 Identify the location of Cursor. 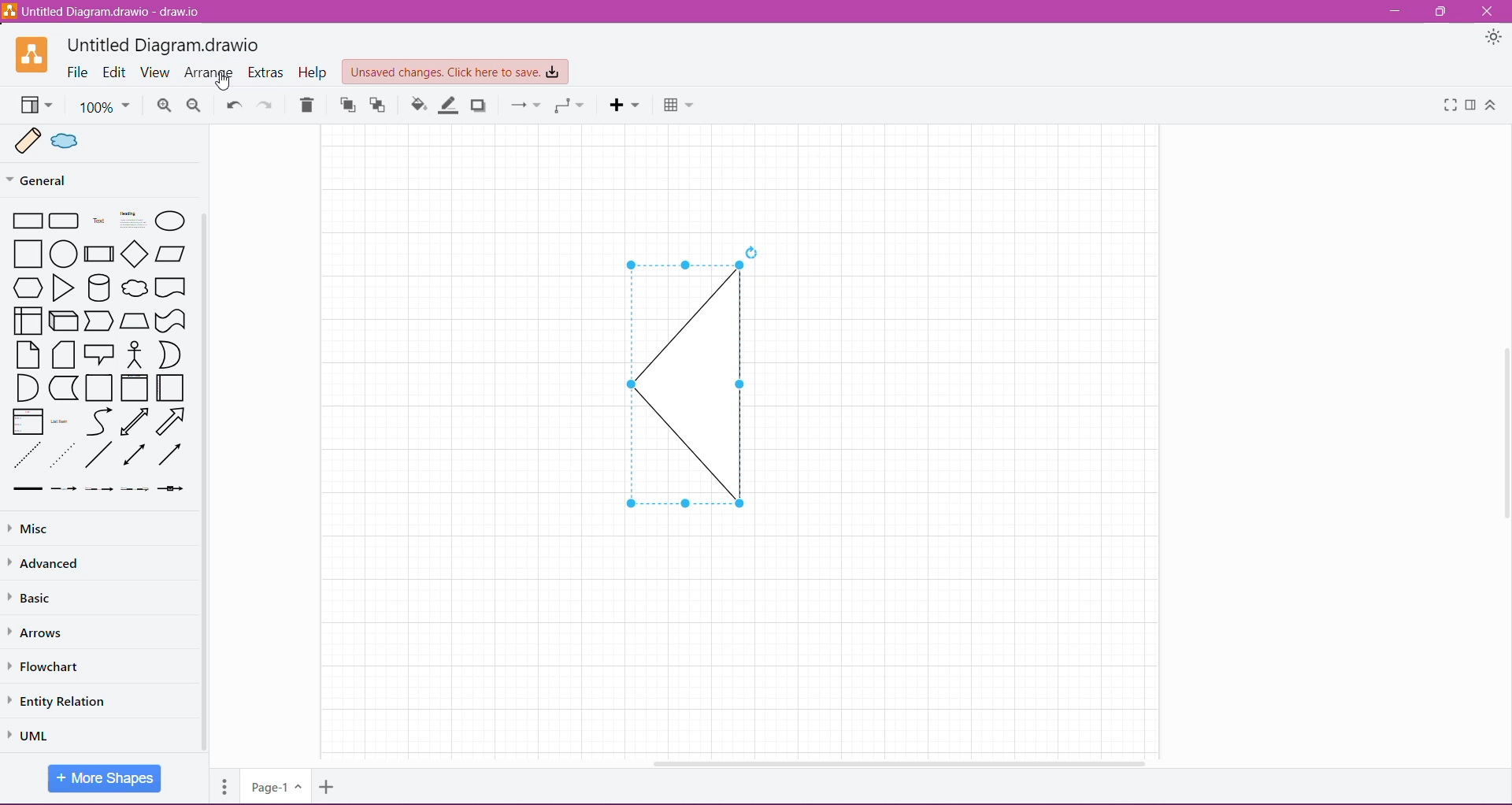
(222, 82).